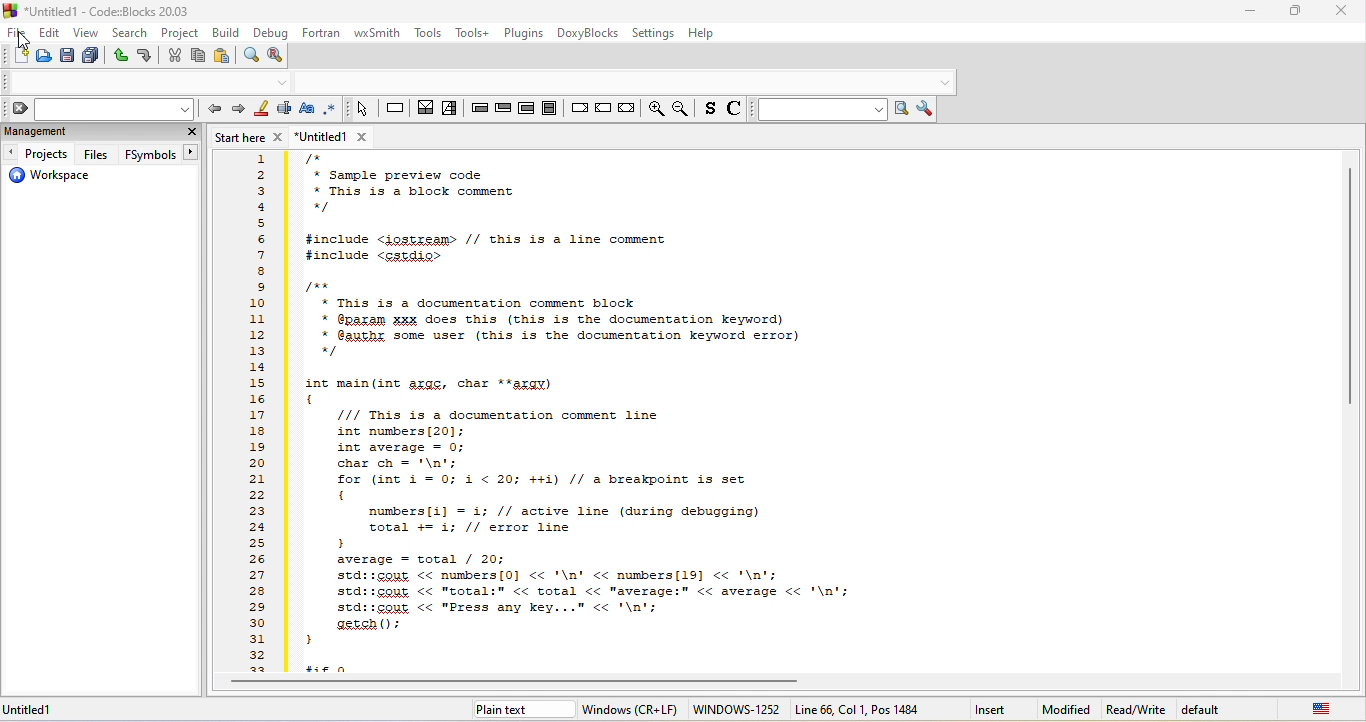 The image size is (1366, 722). What do you see at coordinates (146, 58) in the screenshot?
I see `redo` at bounding box center [146, 58].